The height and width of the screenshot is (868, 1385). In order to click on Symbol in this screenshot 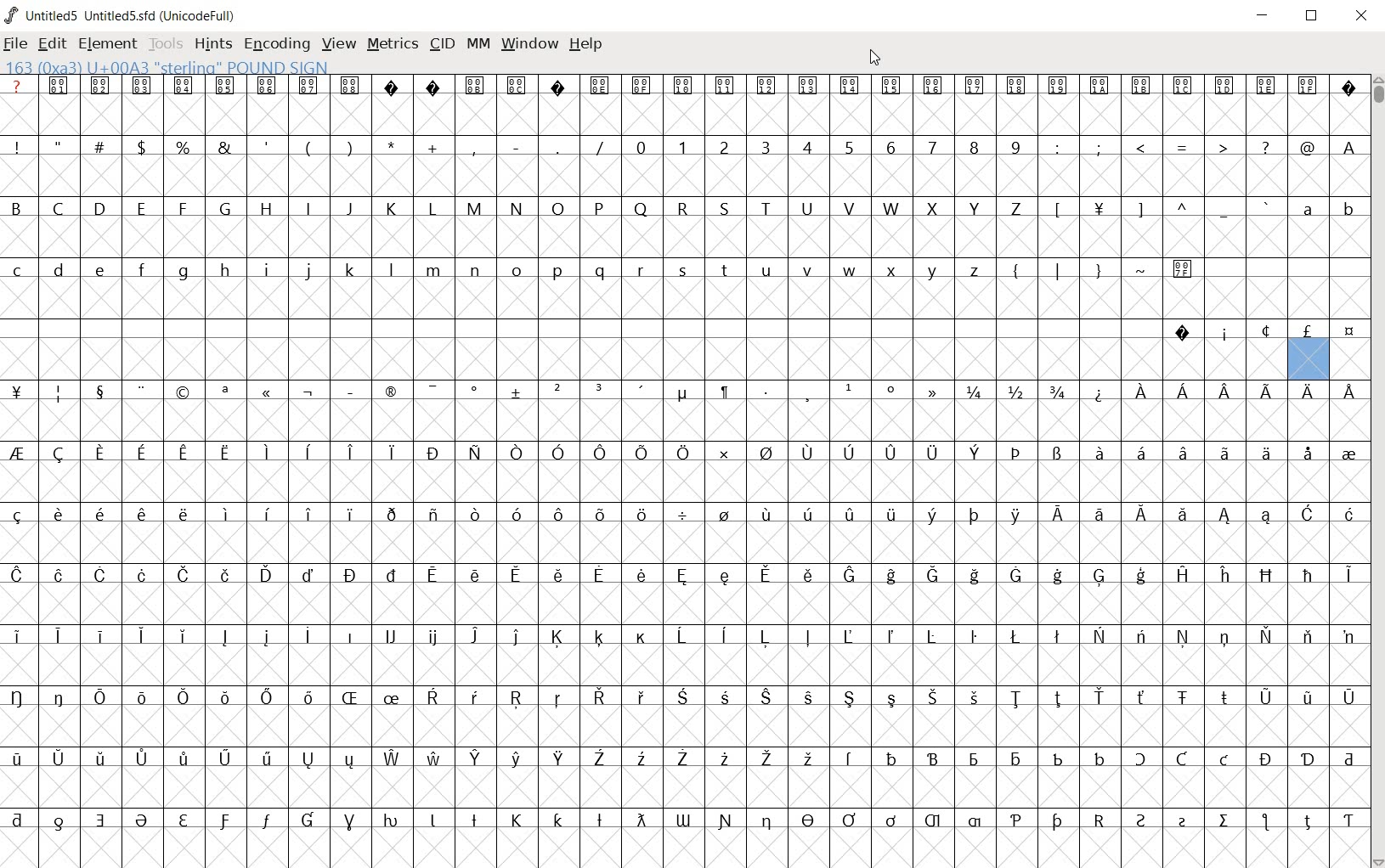, I will do `click(768, 392)`.